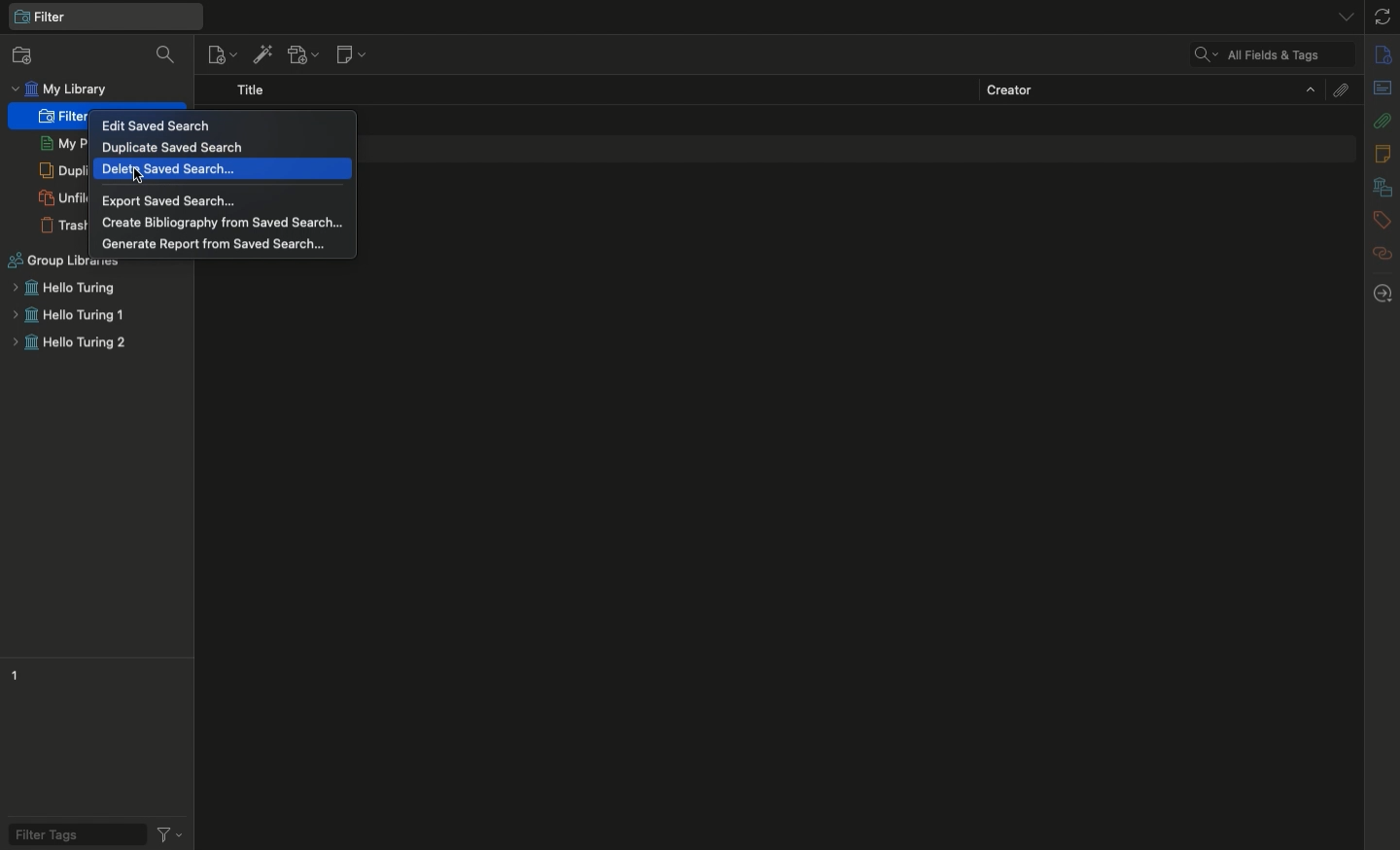  Describe the element at coordinates (222, 53) in the screenshot. I see `New item` at that location.